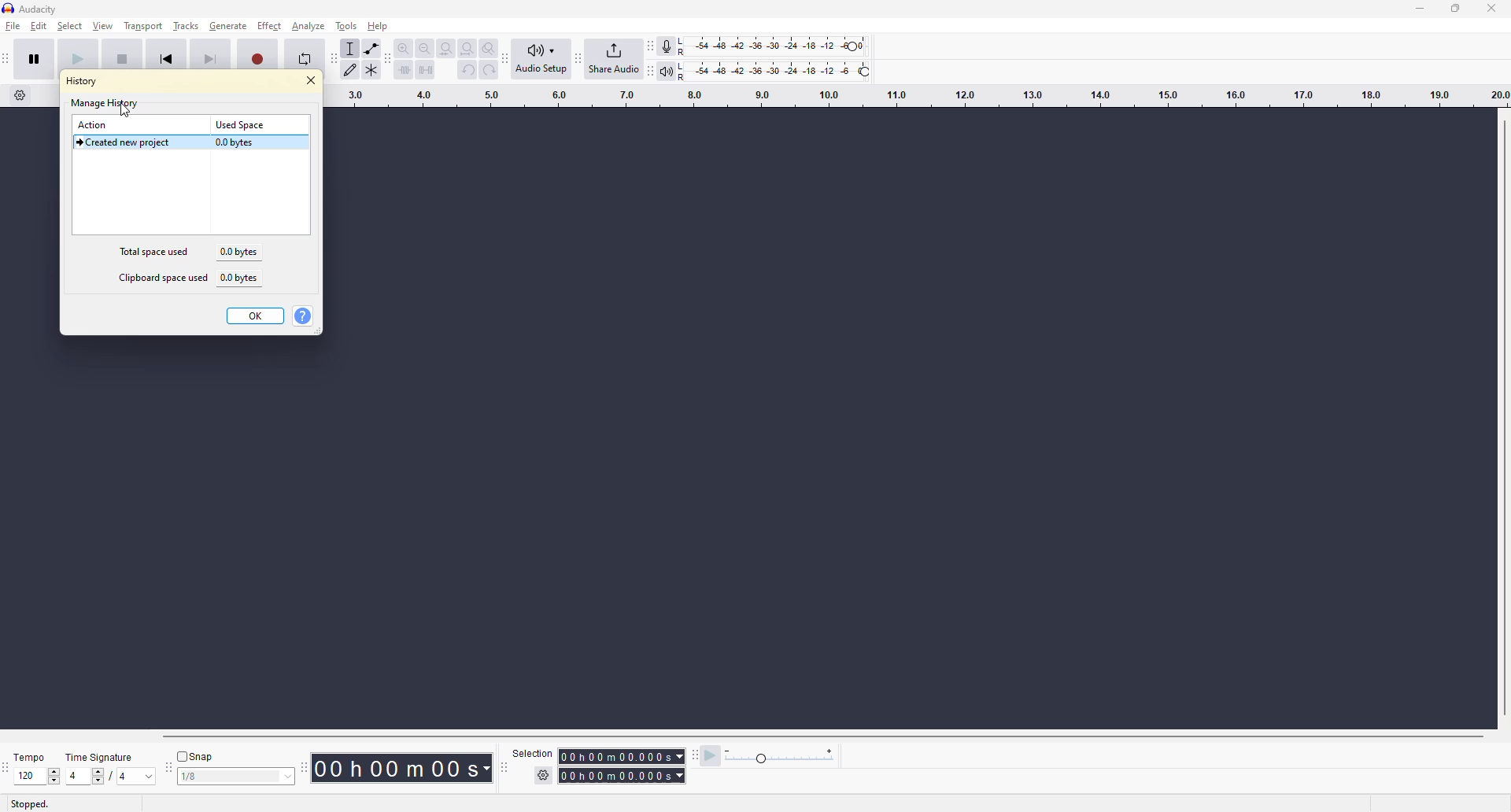  What do you see at coordinates (31, 756) in the screenshot?
I see `temps` at bounding box center [31, 756].